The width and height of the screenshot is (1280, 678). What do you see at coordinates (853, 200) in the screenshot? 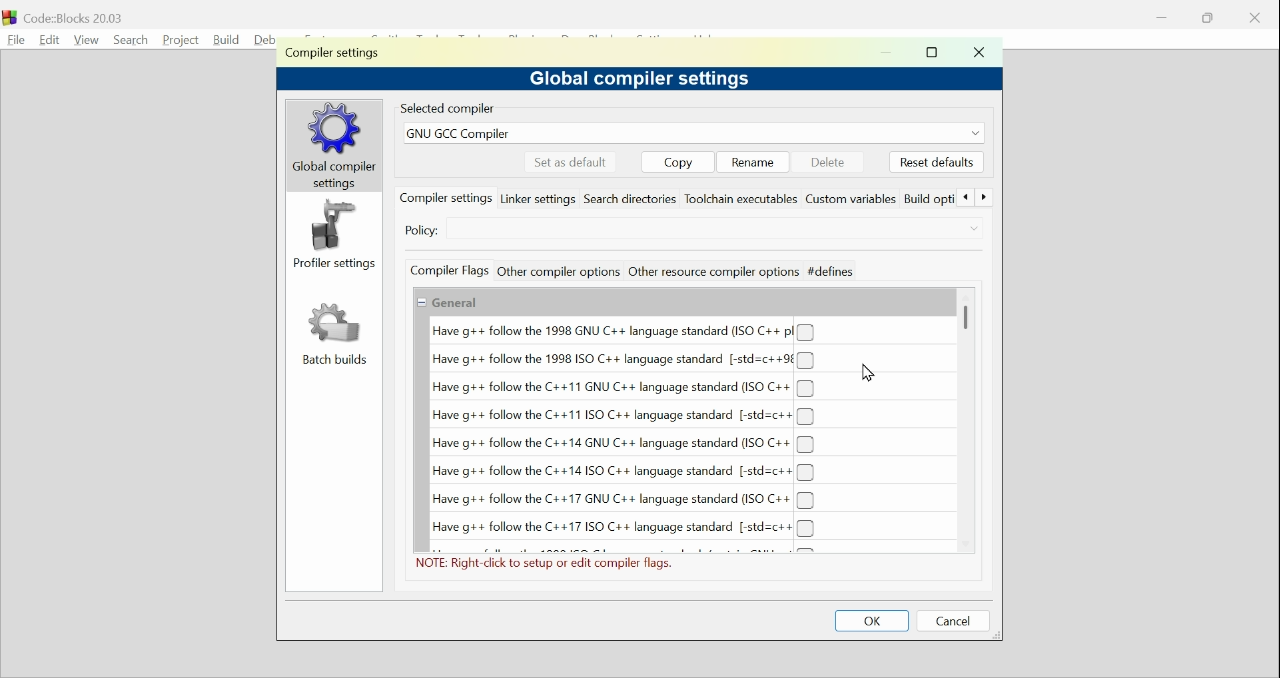
I see `Custom variables` at bounding box center [853, 200].